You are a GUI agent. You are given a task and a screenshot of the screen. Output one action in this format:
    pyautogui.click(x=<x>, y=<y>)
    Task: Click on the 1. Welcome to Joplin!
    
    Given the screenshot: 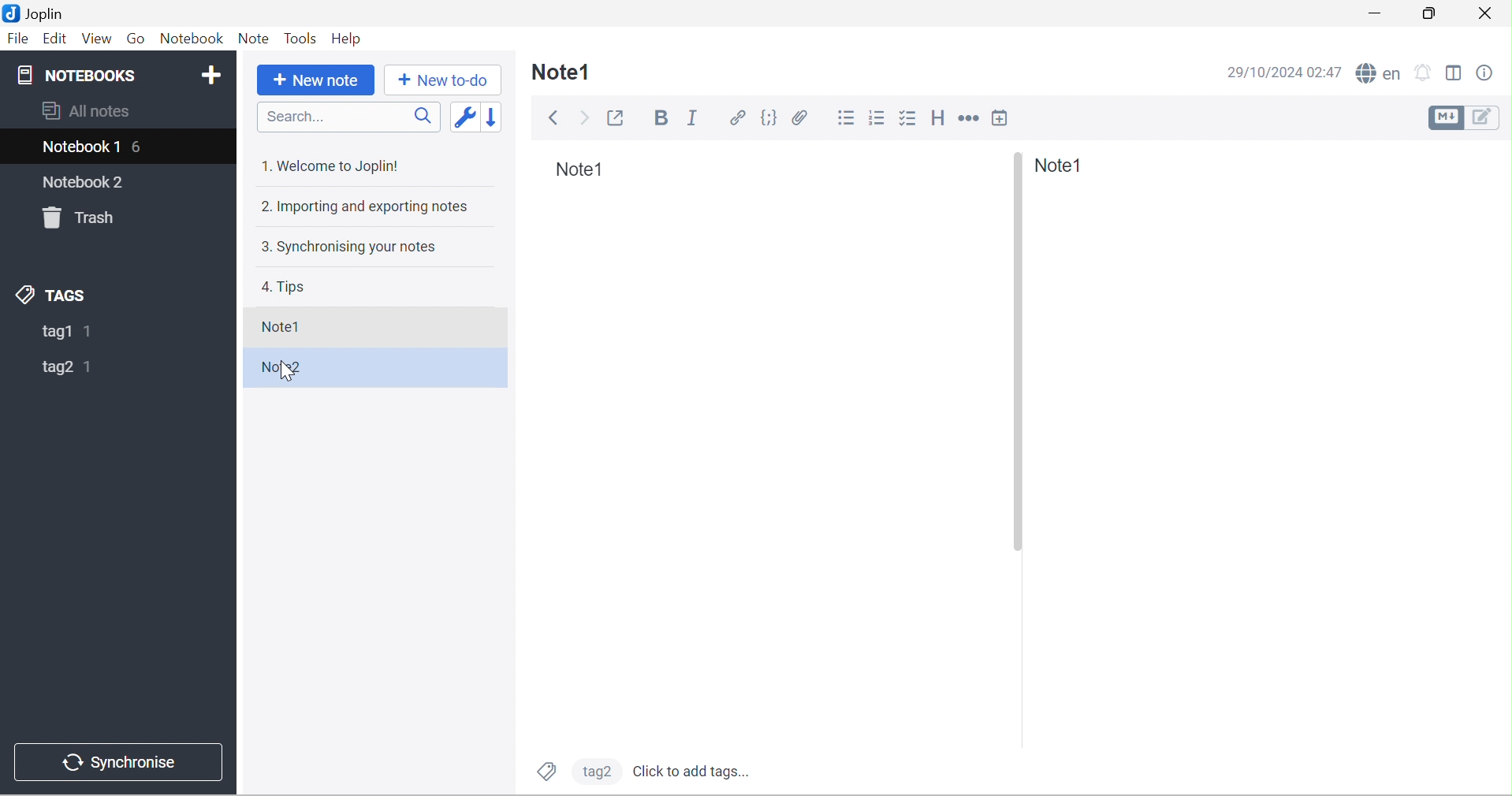 What is the action you would take?
    pyautogui.click(x=329, y=164)
    